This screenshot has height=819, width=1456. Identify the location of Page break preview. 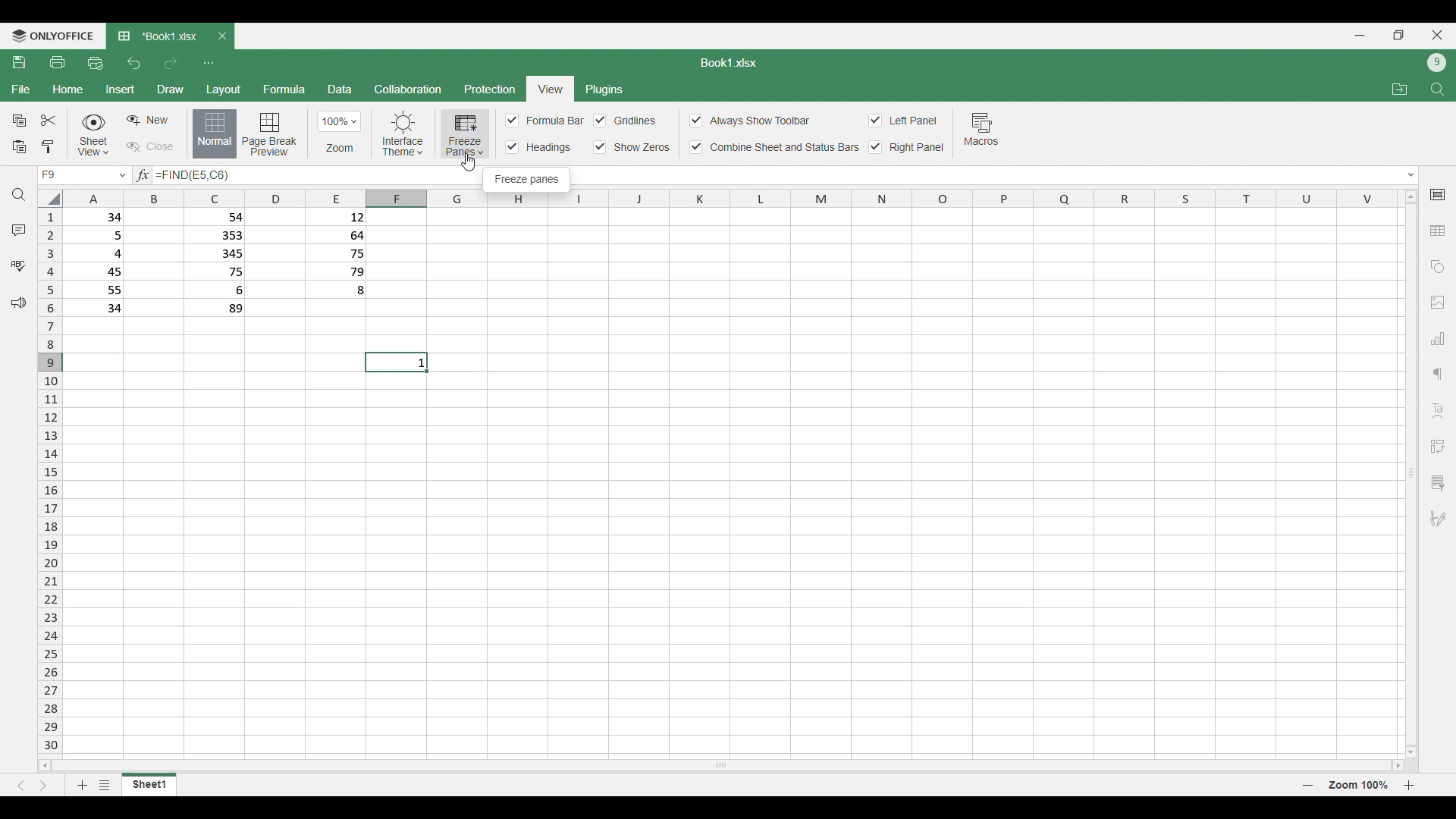
(270, 135).